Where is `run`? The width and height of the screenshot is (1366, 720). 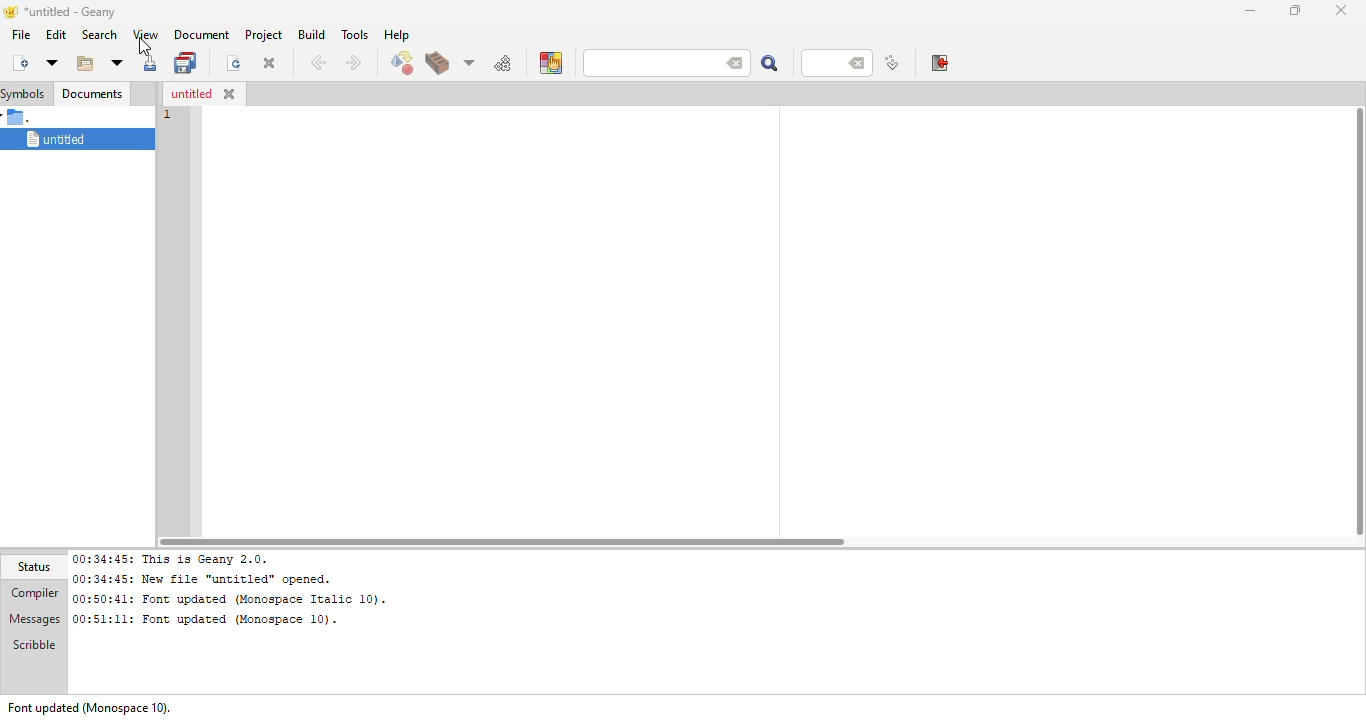 run is located at coordinates (503, 63).